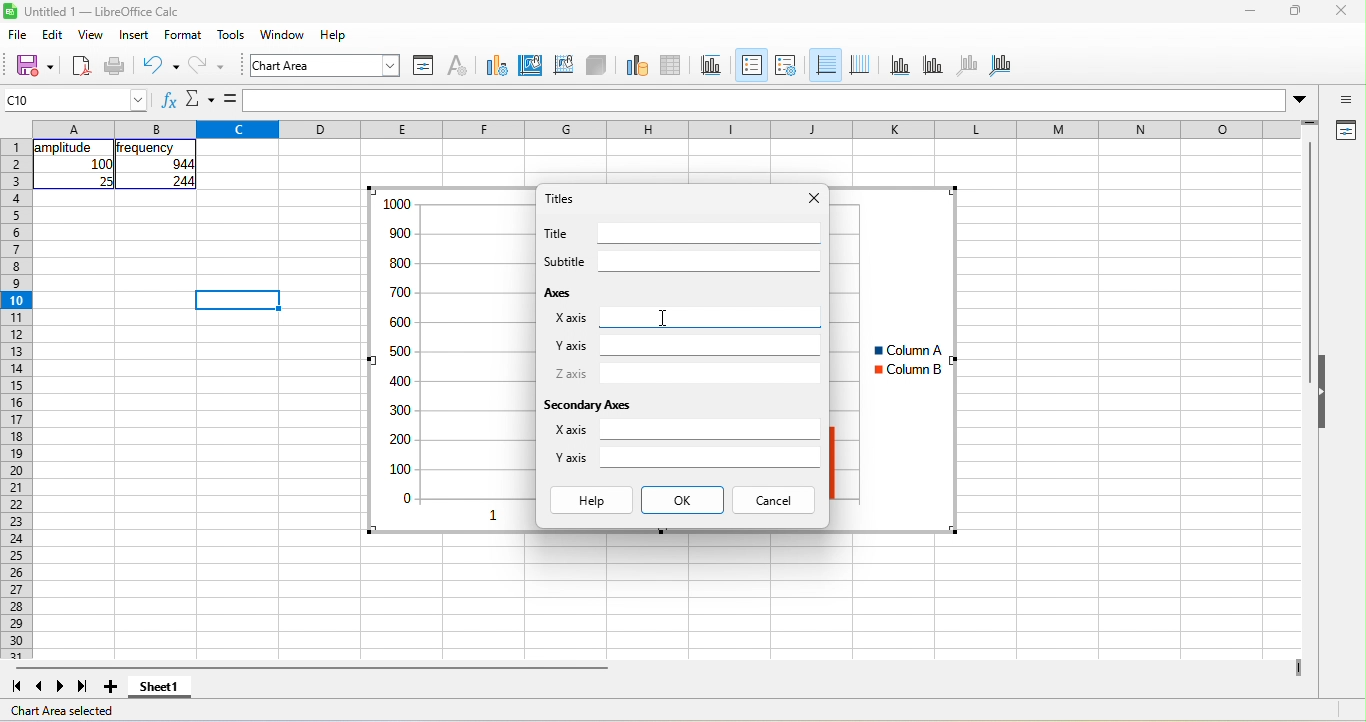 The image size is (1366, 722). Describe the element at coordinates (10, 11) in the screenshot. I see `Software logo` at that location.